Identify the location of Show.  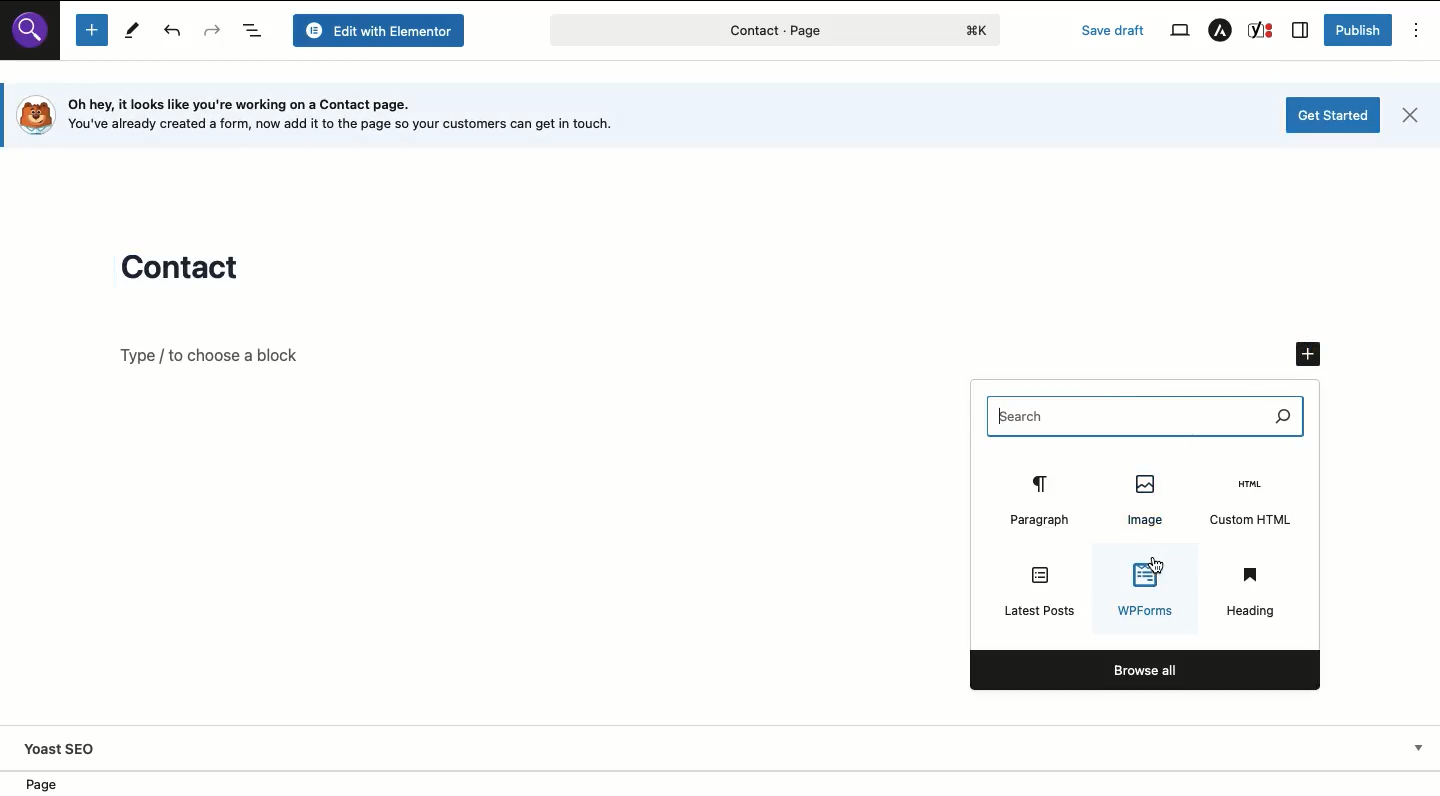
(1415, 747).